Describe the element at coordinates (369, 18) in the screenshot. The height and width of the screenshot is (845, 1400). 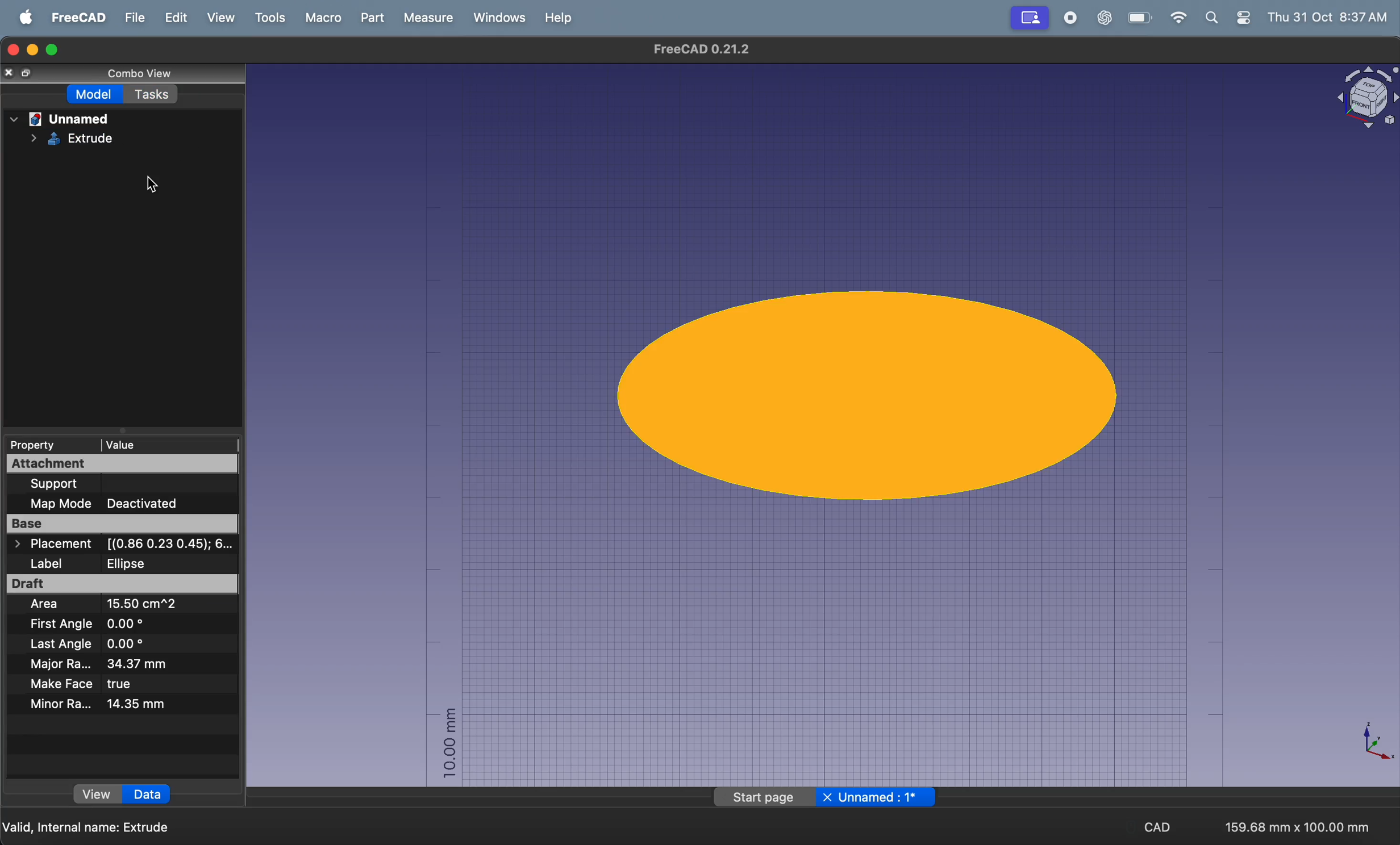
I see `part` at that location.